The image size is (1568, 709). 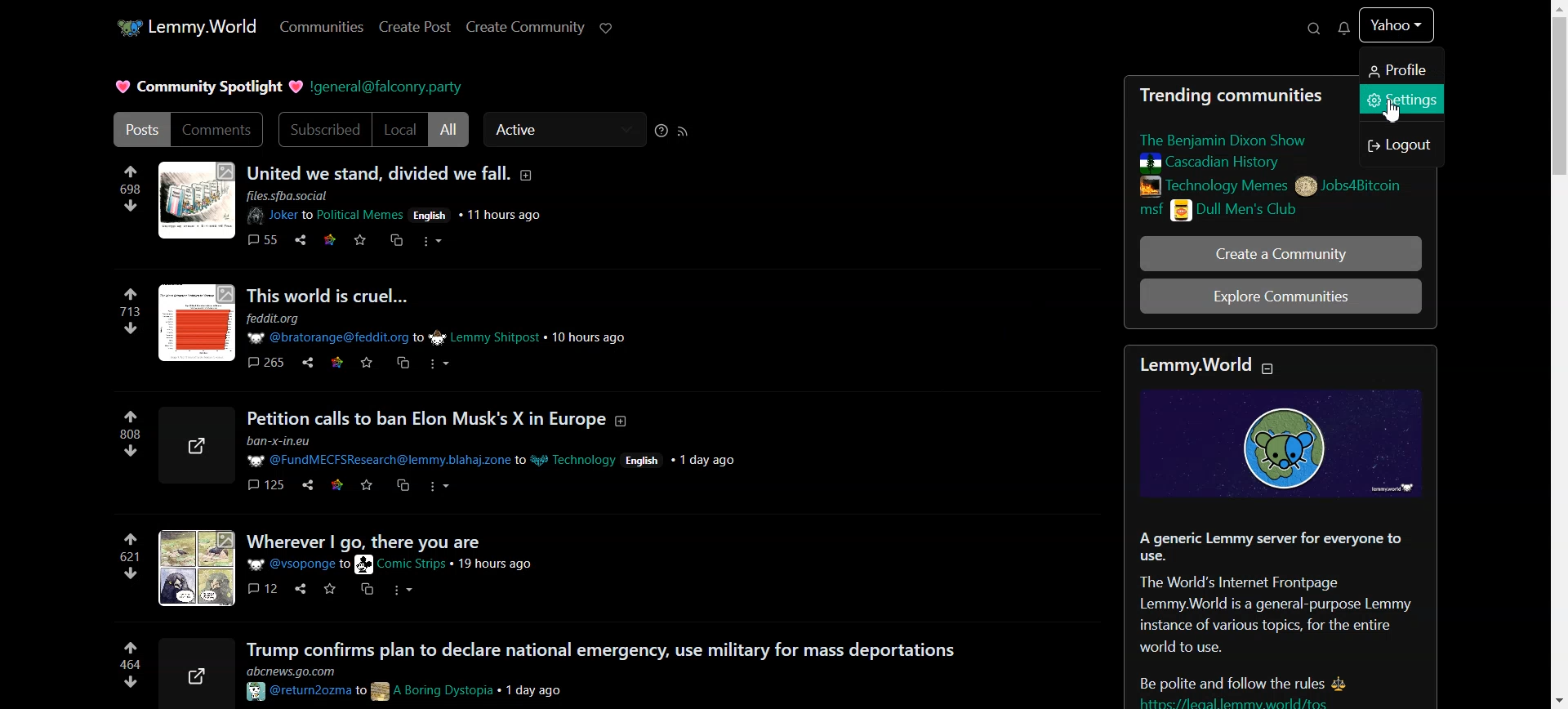 I want to click on Profile, so click(x=1401, y=67).